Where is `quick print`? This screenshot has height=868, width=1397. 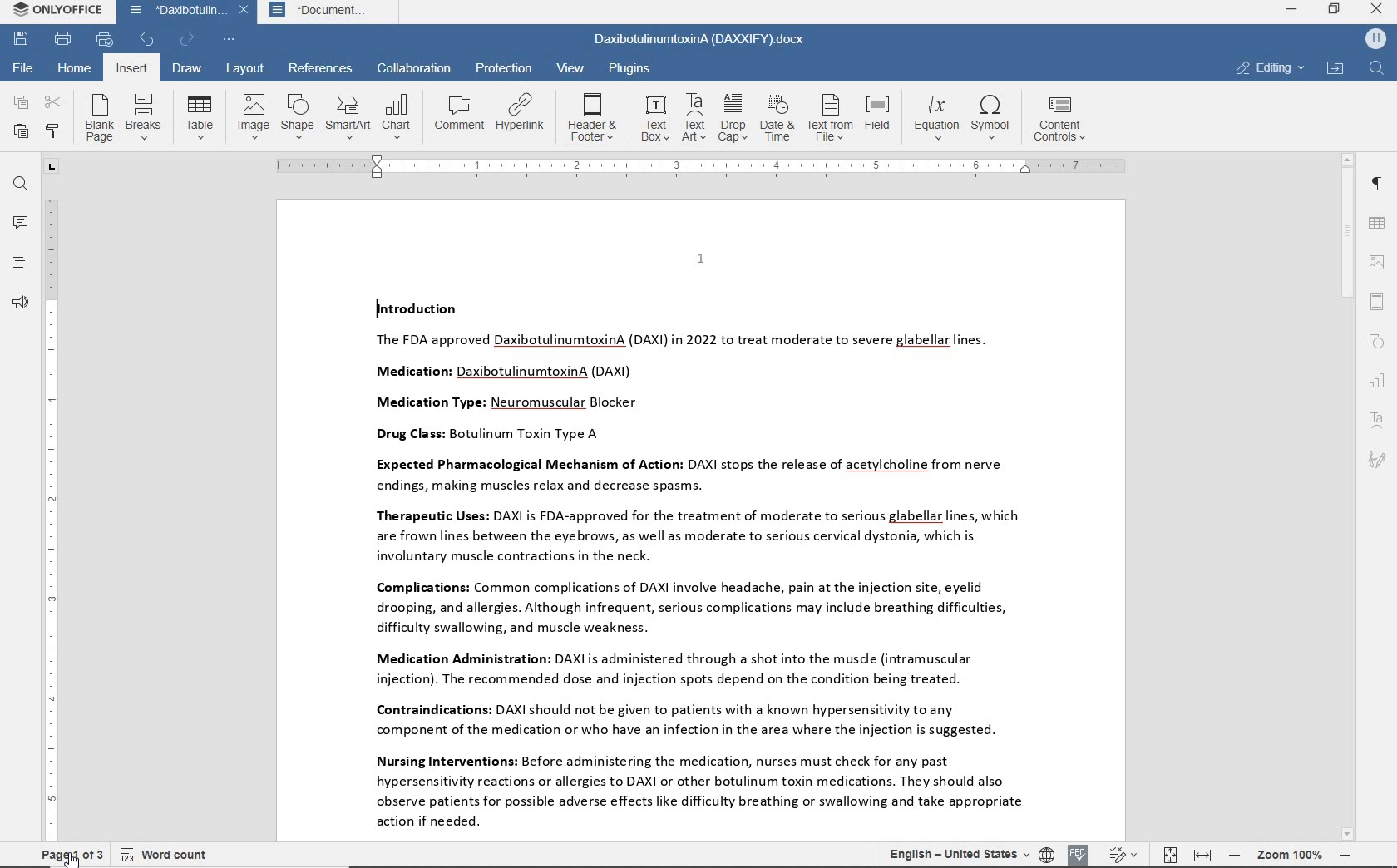
quick print is located at coordinates (105, 40).